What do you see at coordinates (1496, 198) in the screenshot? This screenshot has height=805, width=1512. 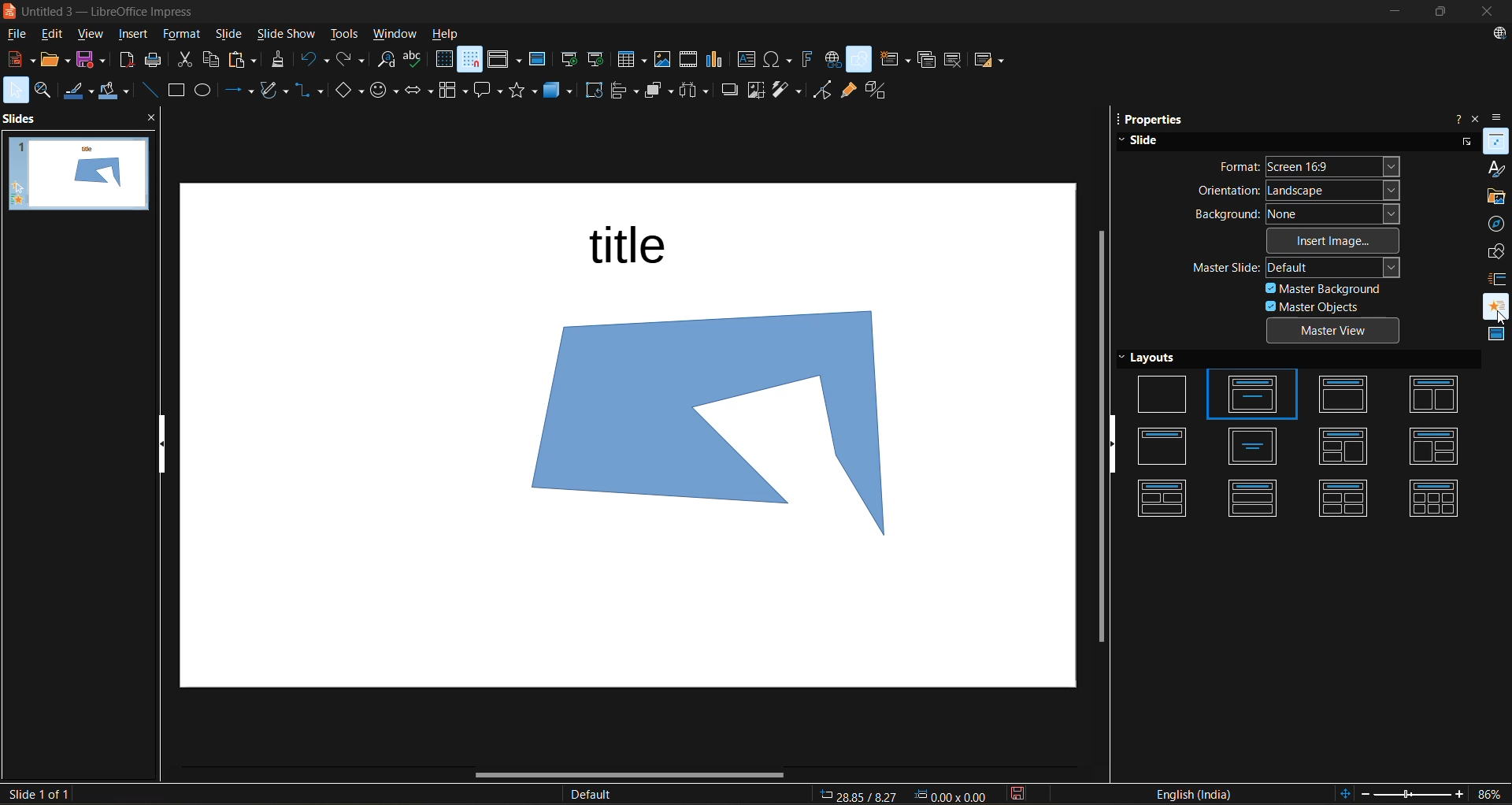 I see `gallery` at bounding box center [1496, 198].